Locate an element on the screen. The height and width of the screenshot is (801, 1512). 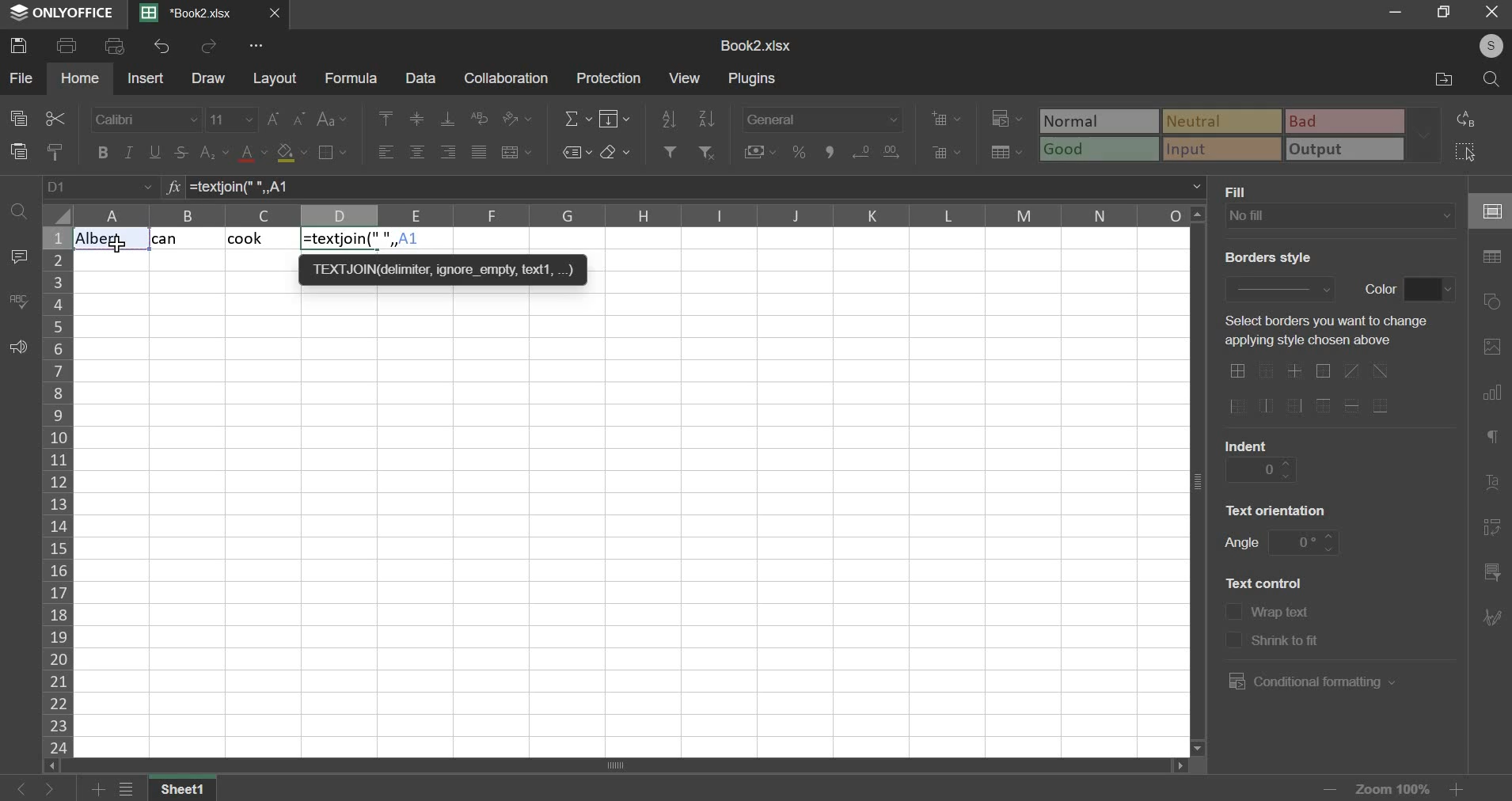
orientation is located at coordinates (517, 118).